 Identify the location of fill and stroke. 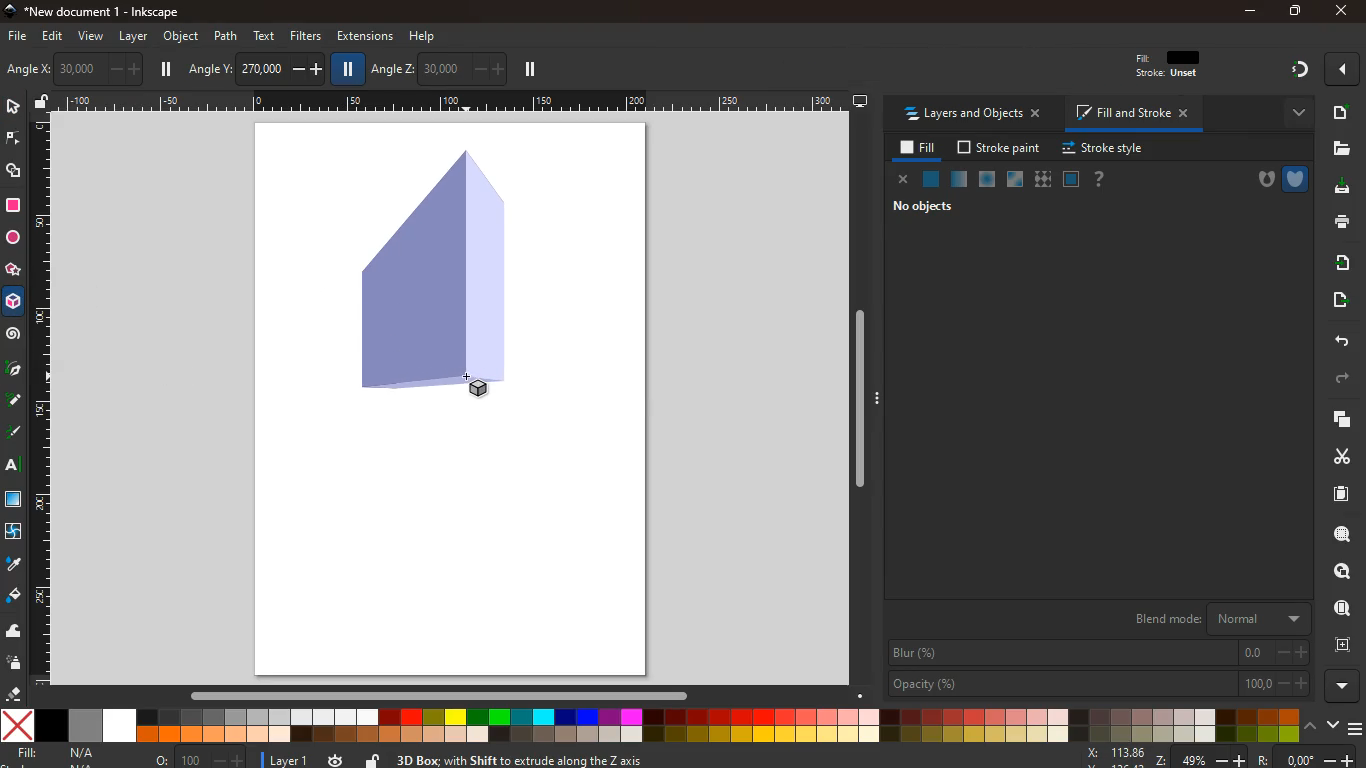
(1135, 115).